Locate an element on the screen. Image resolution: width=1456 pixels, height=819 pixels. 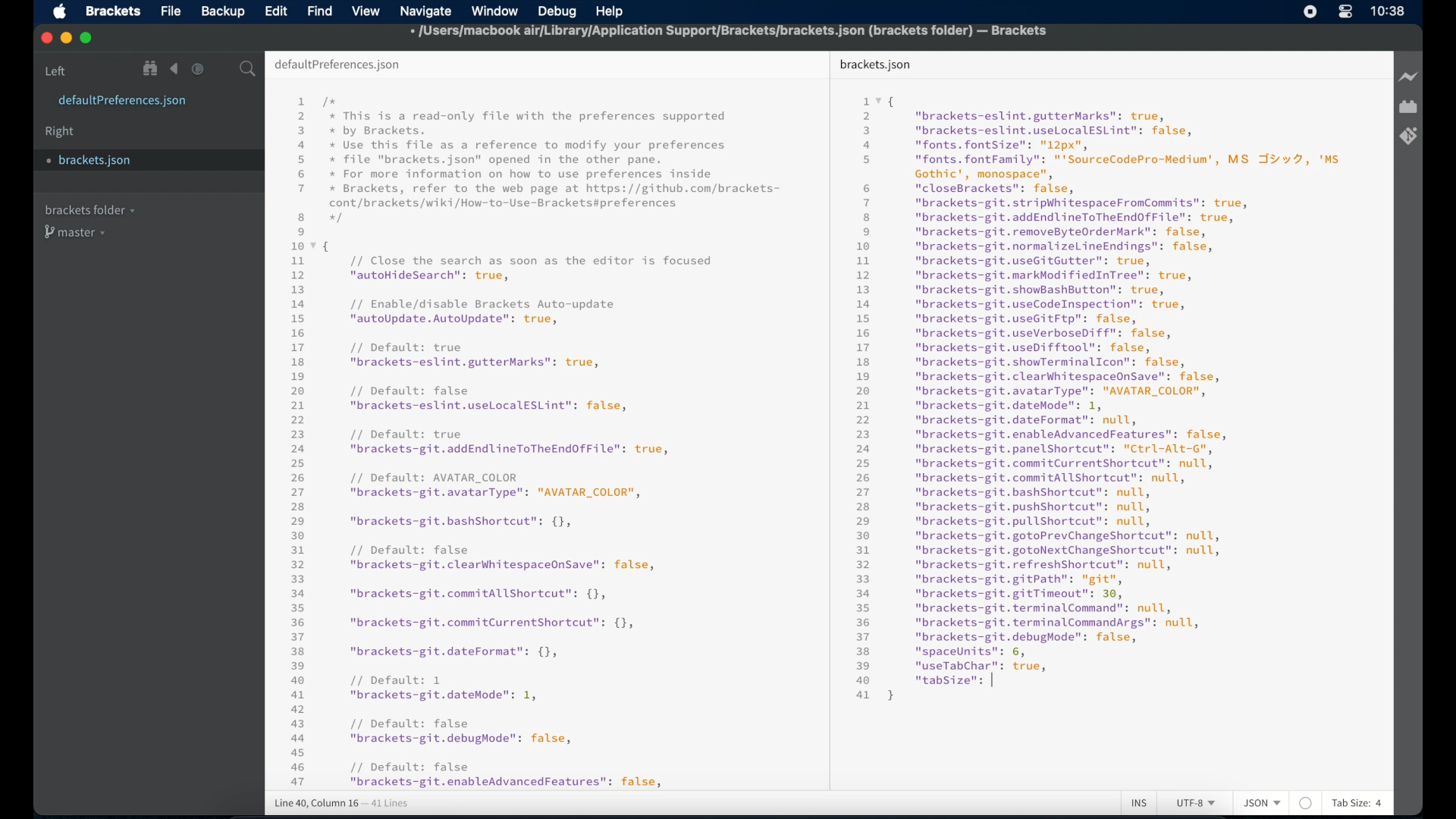
window is located at coordinates (495, 11).